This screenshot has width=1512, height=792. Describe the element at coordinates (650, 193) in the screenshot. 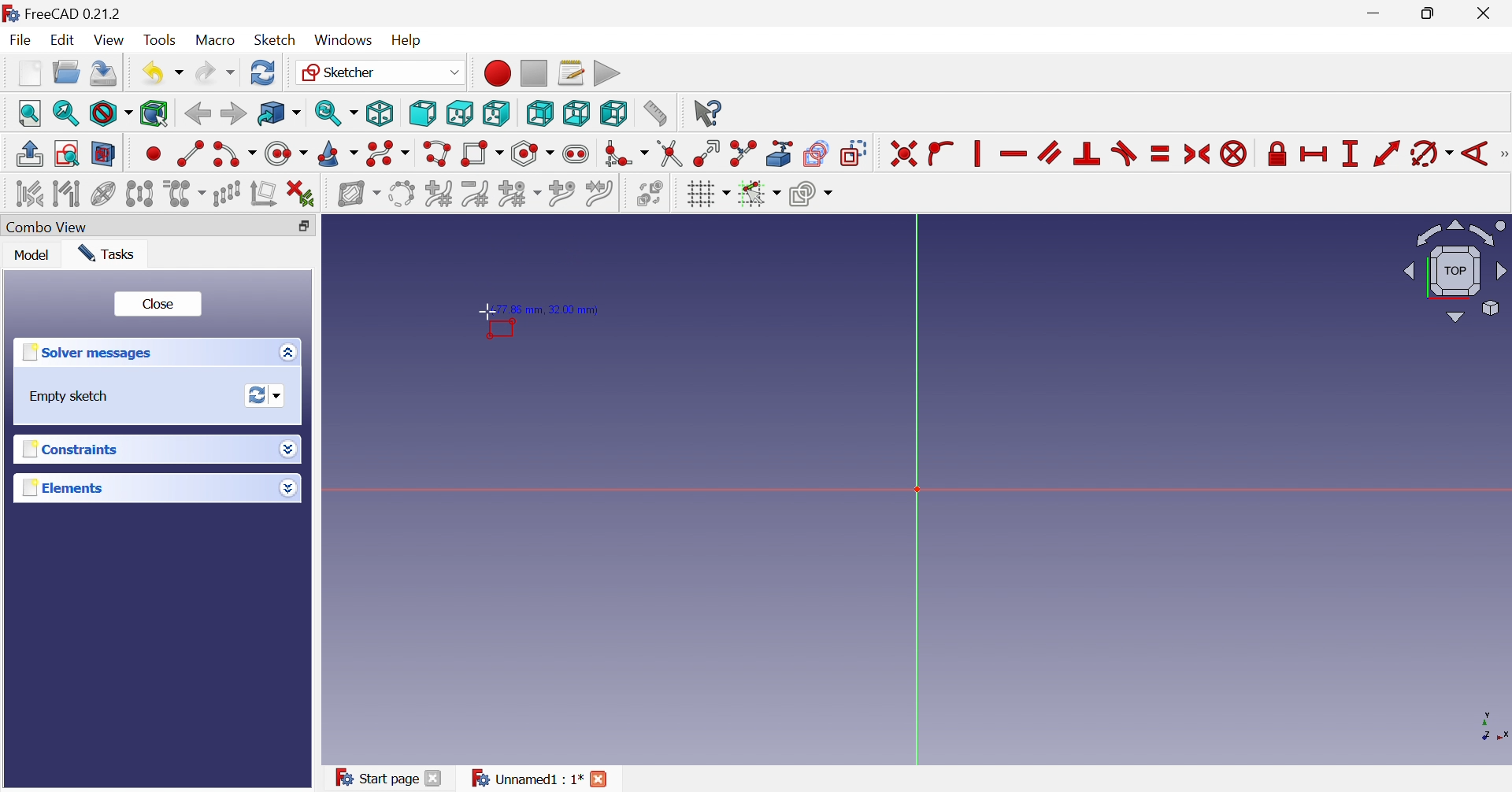

I see `Switch virtual space` at that location.